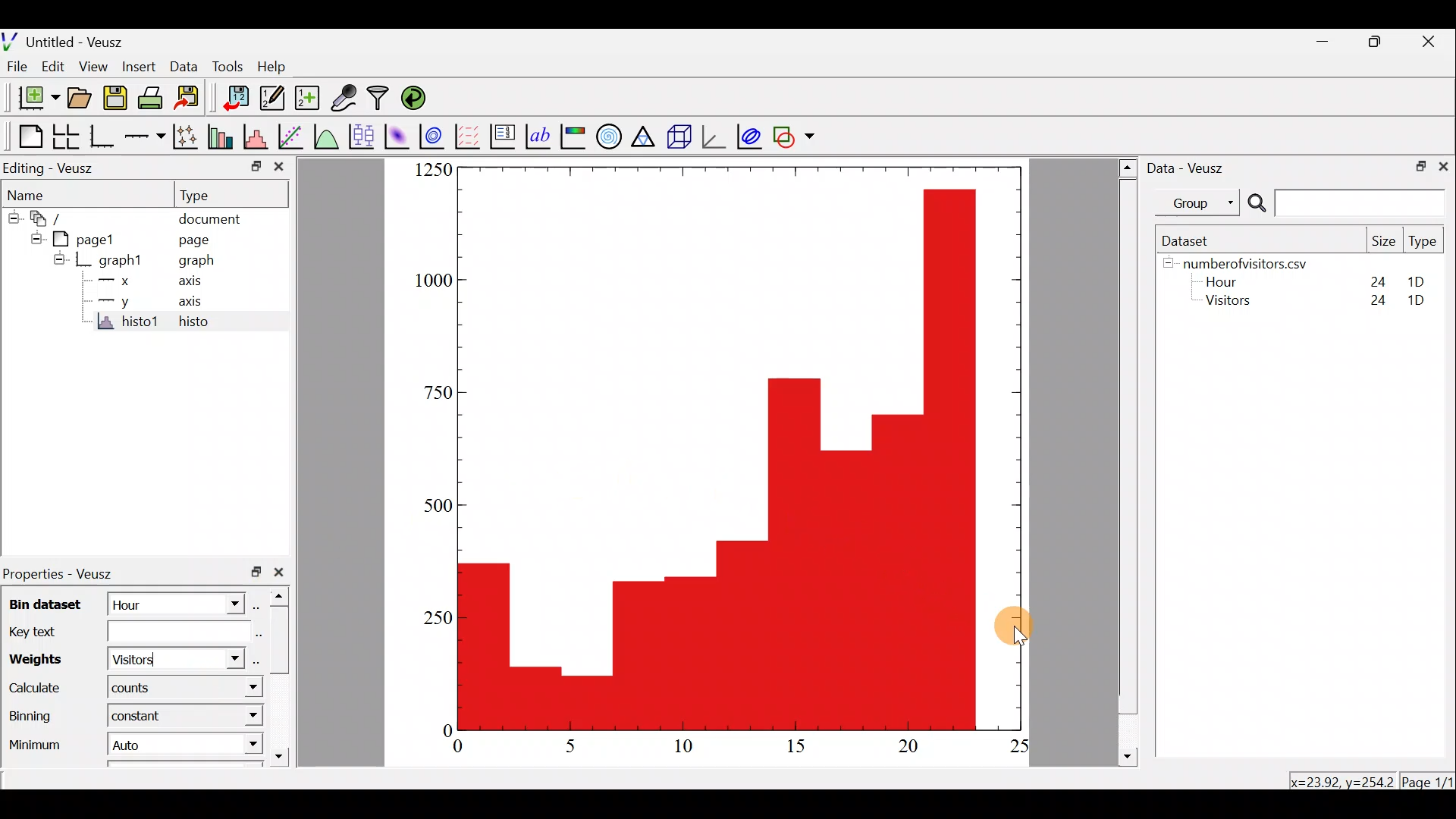 The height and width of the screenshot is (819, 1456). I want to click on edit and enter new datasets, so click(272, 99).